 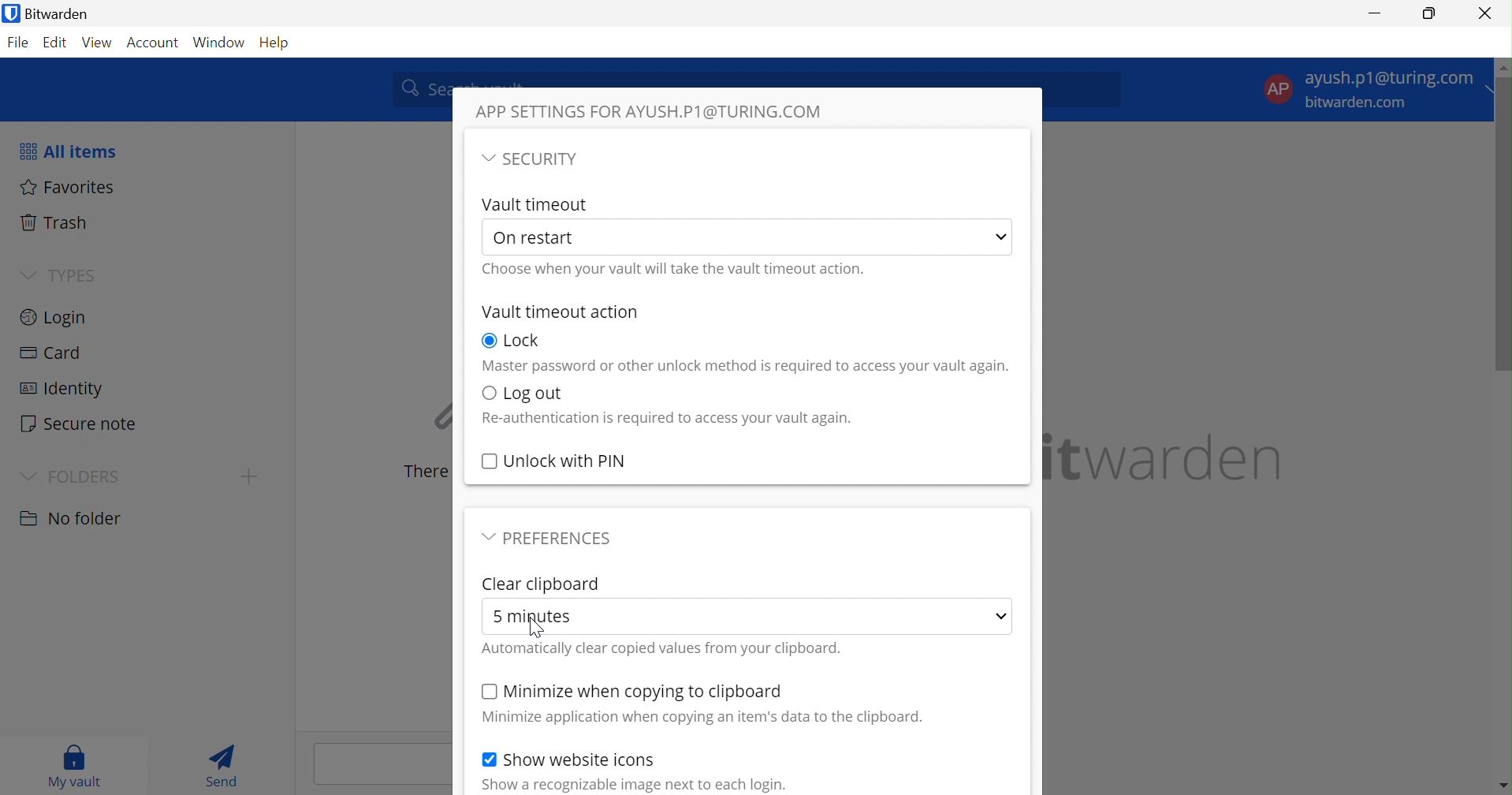 What do you see at coordinates (581, 760) in the screenshot?
I see `Show website icons` at bounding box center [581, 760].